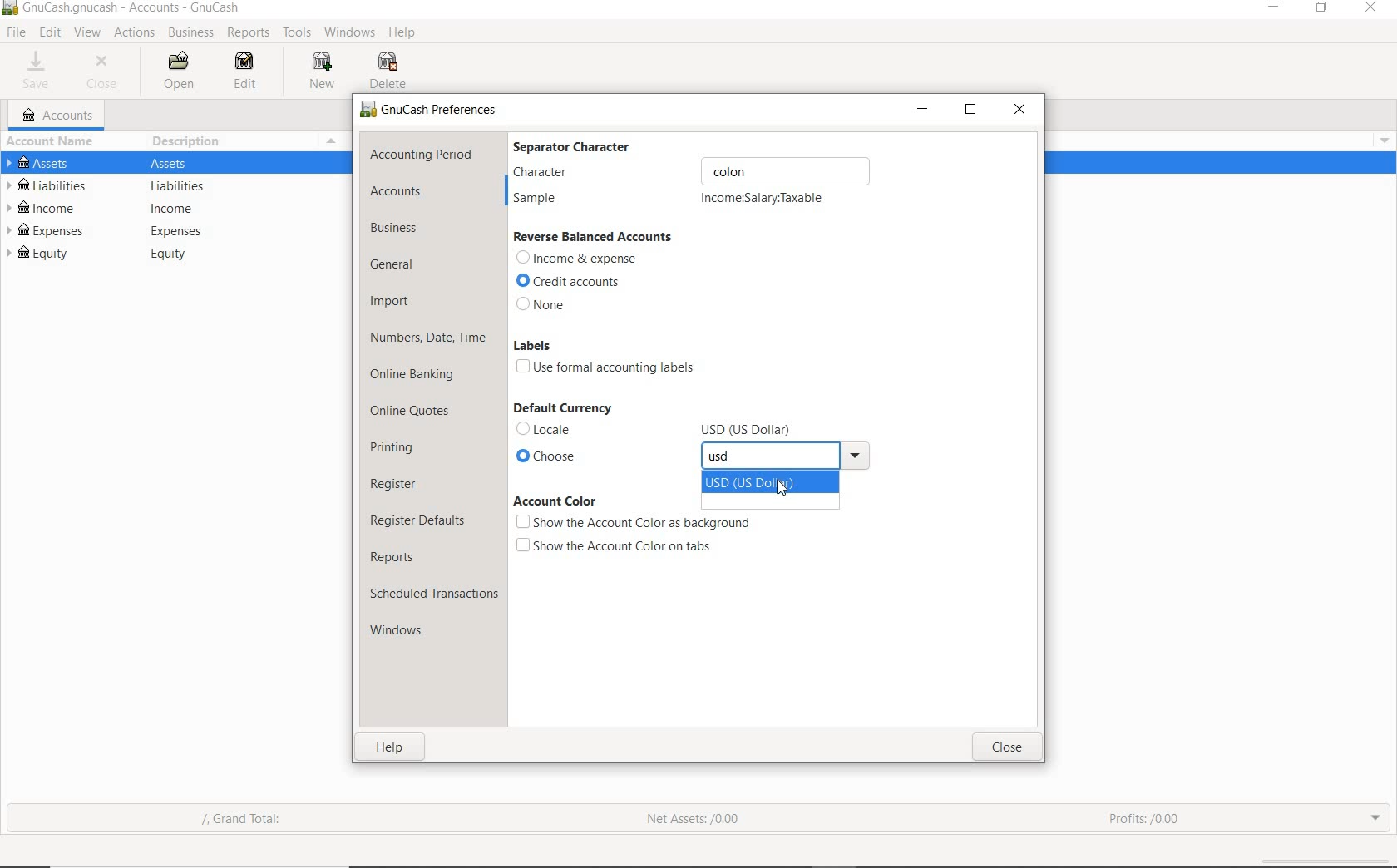 Image resolution: width=1397 pixels, height=868 pixels. What do you see at coordinates (923, 108) in the screenshot?
I see `minimize` at bounding box center [923, 108].